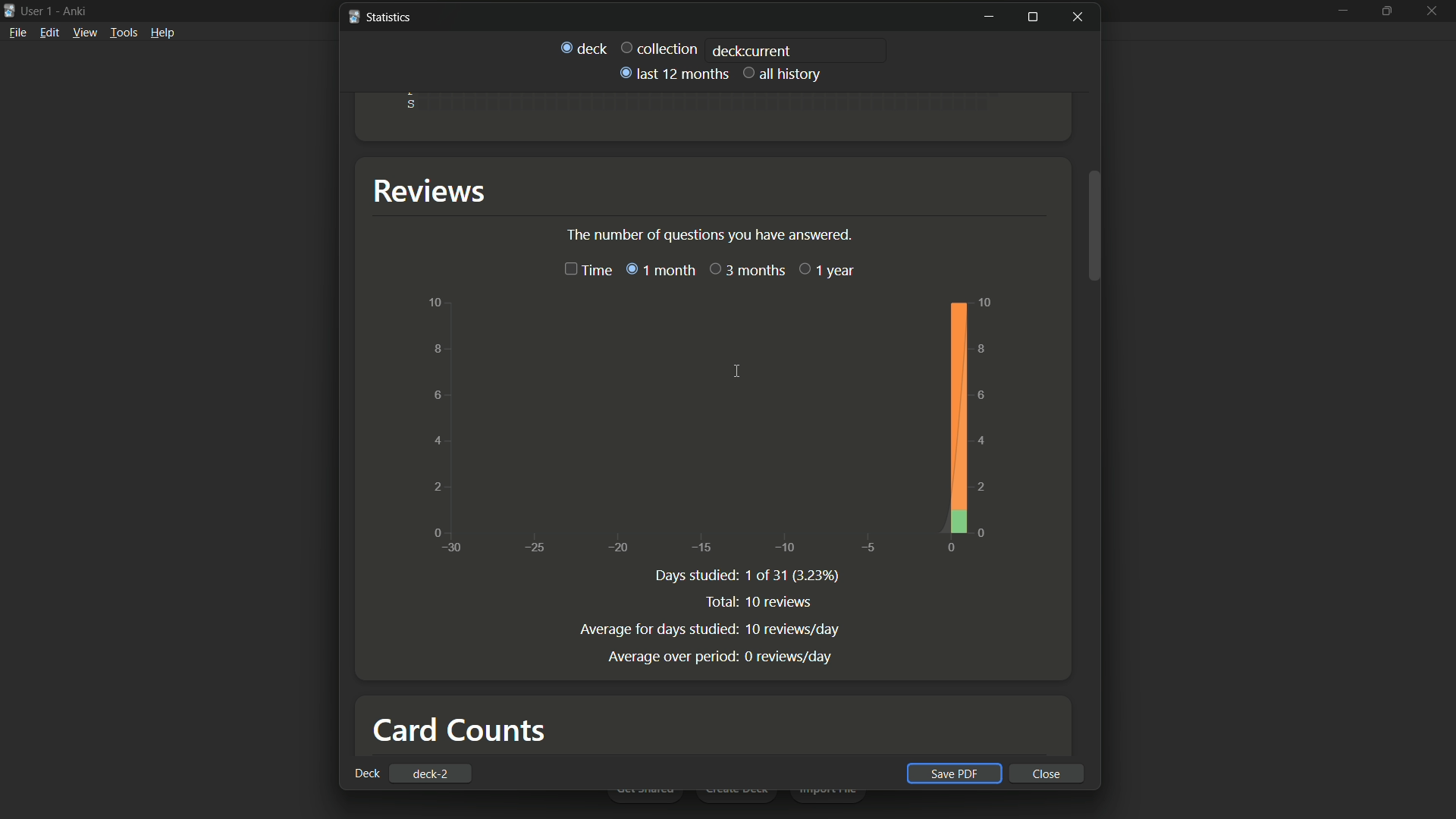 This screenshot has height=819, width=1456. I want to click on 1 year, so click(827, 269).